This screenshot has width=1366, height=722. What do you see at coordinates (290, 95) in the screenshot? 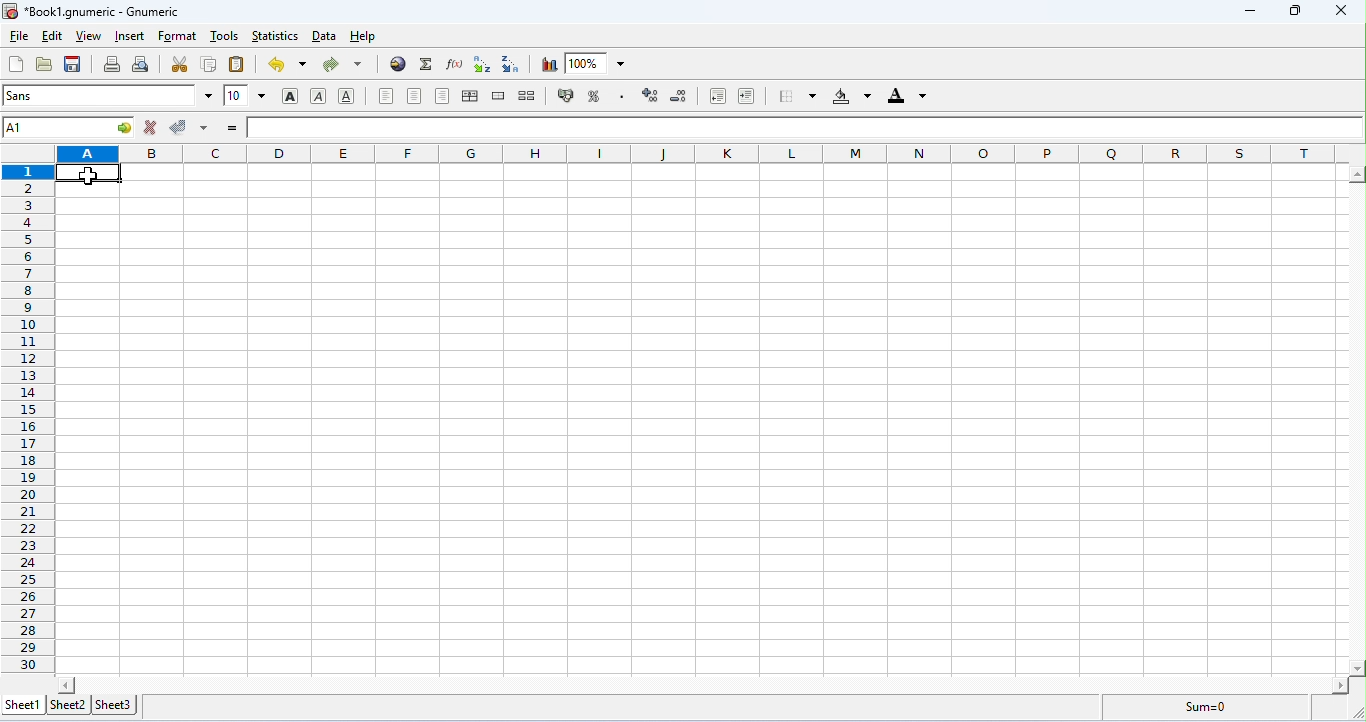
I see `bold` at bounding box center [290, 95].